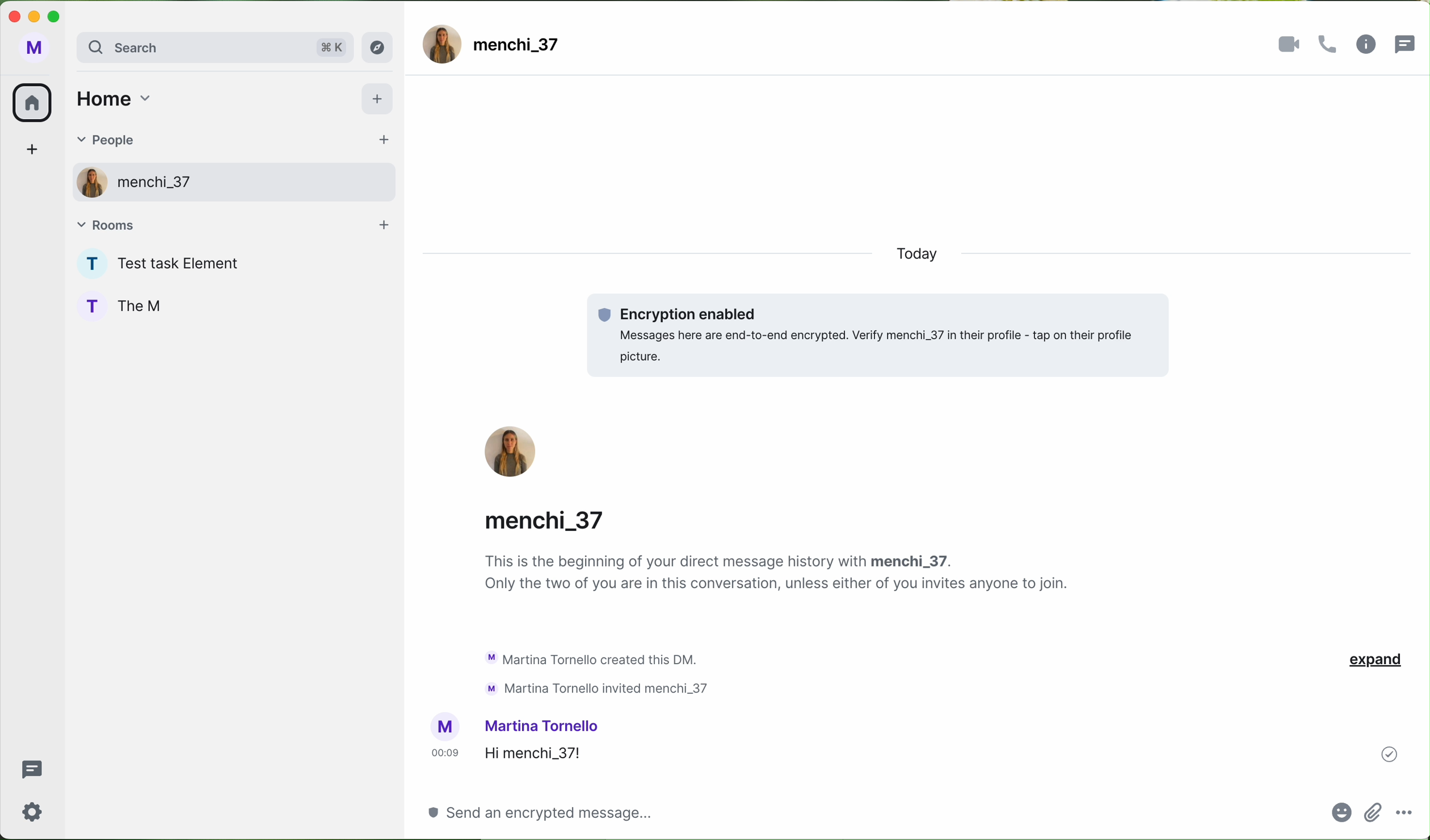 The width and height of the screenshot is (1430, 840). What do you see at coordinates (157, 185) in the screenshot?
I see `user` at bounding box center [157, 185].